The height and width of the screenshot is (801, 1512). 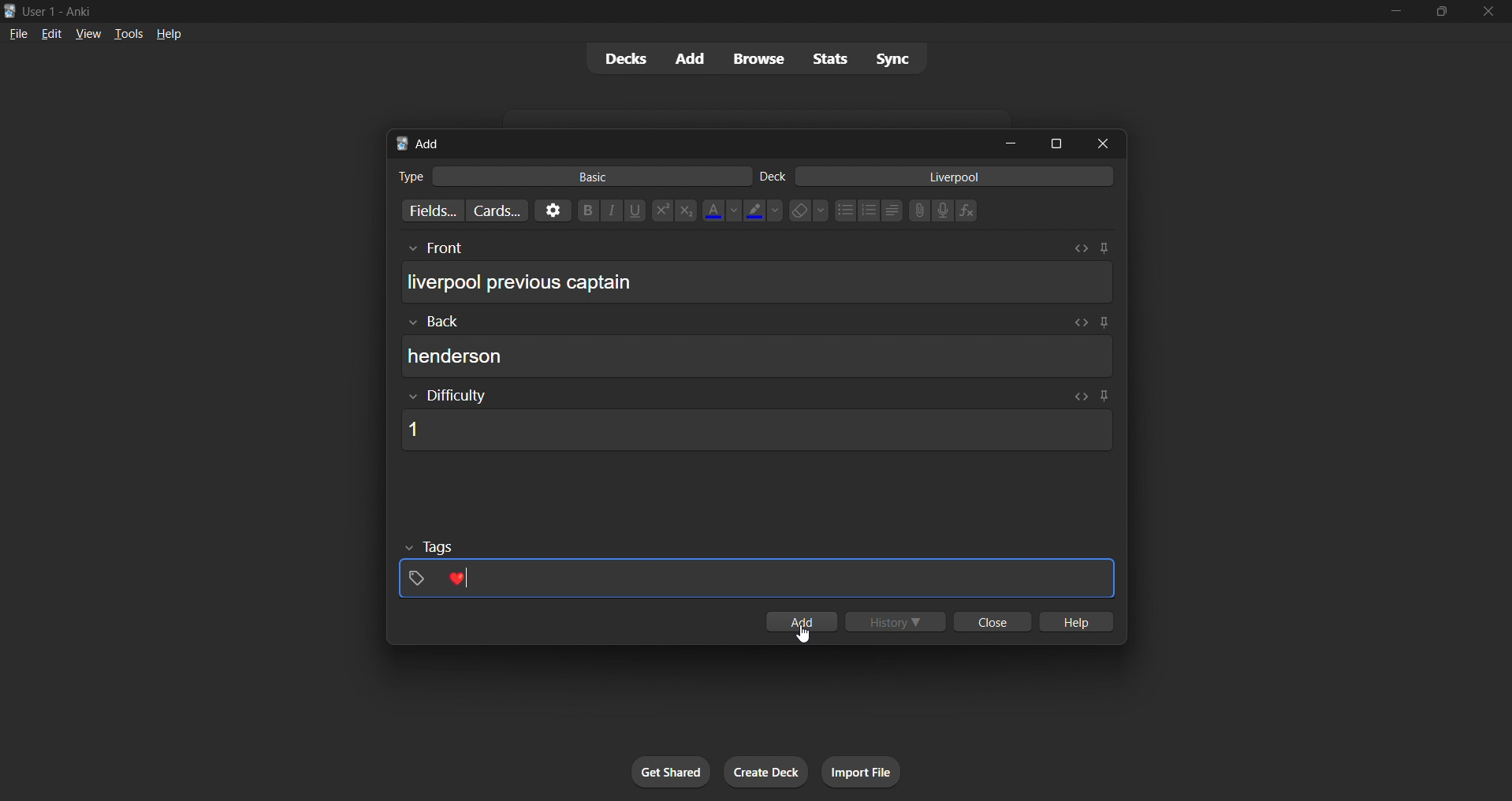 What do you see at coordinates (758, 571) in the screenshot?
I see `card tags input box` at bounding box center [758, 571].